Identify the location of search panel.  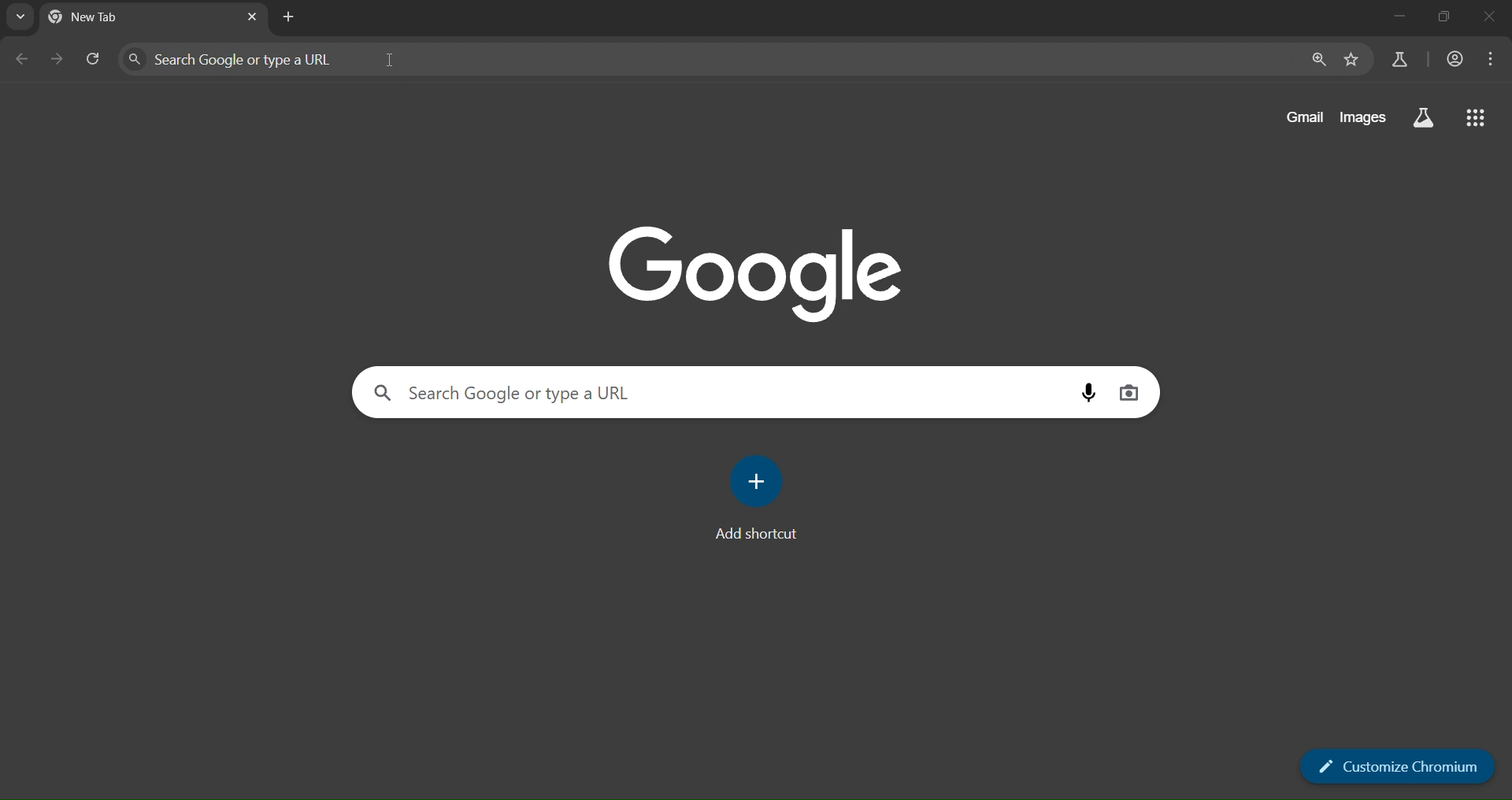
(517, 392).